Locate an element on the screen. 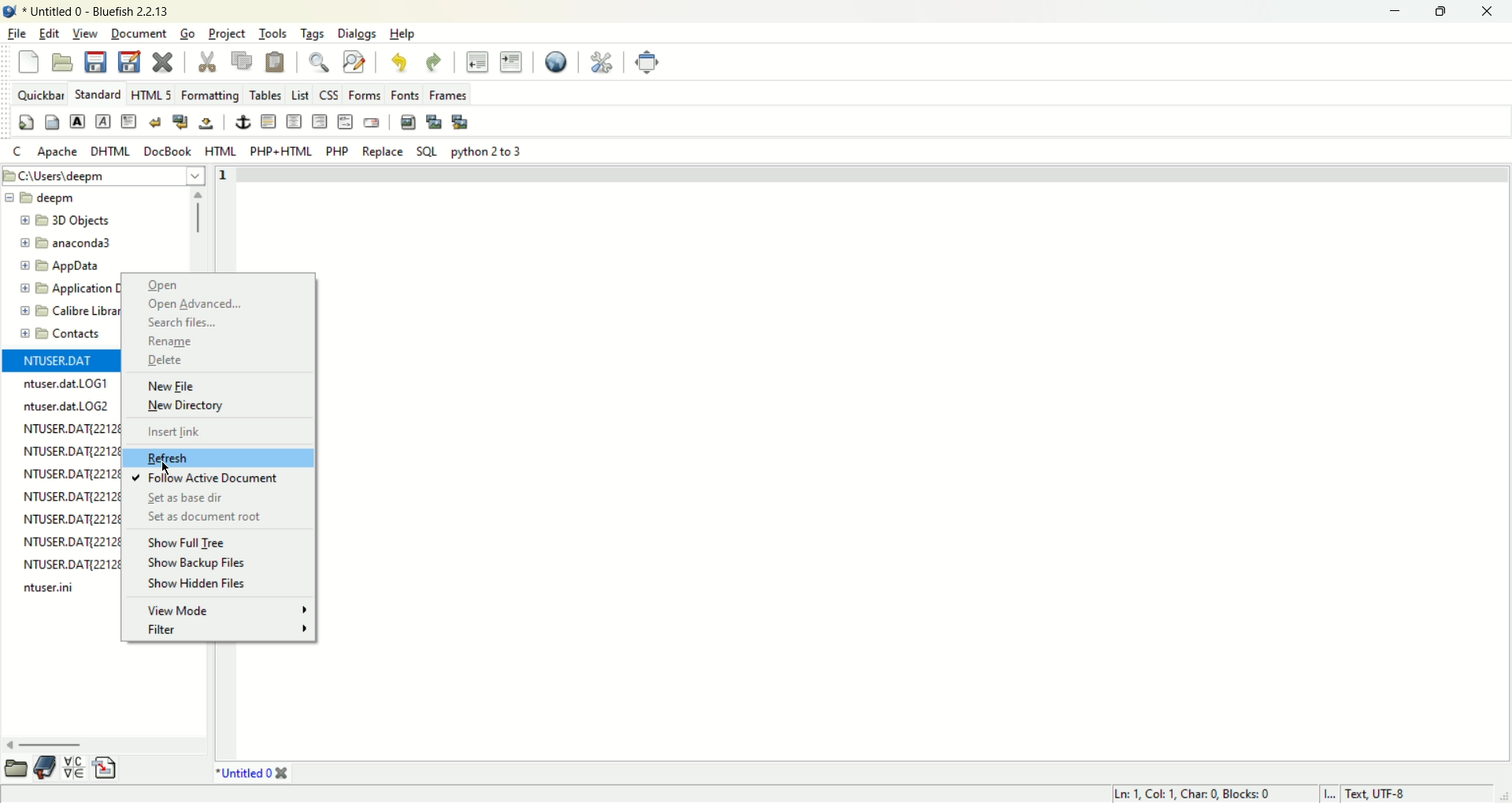 Image resolution: width=1512 pixels, height=803 pixels. bookmarks is located at coordinates (46, 768).